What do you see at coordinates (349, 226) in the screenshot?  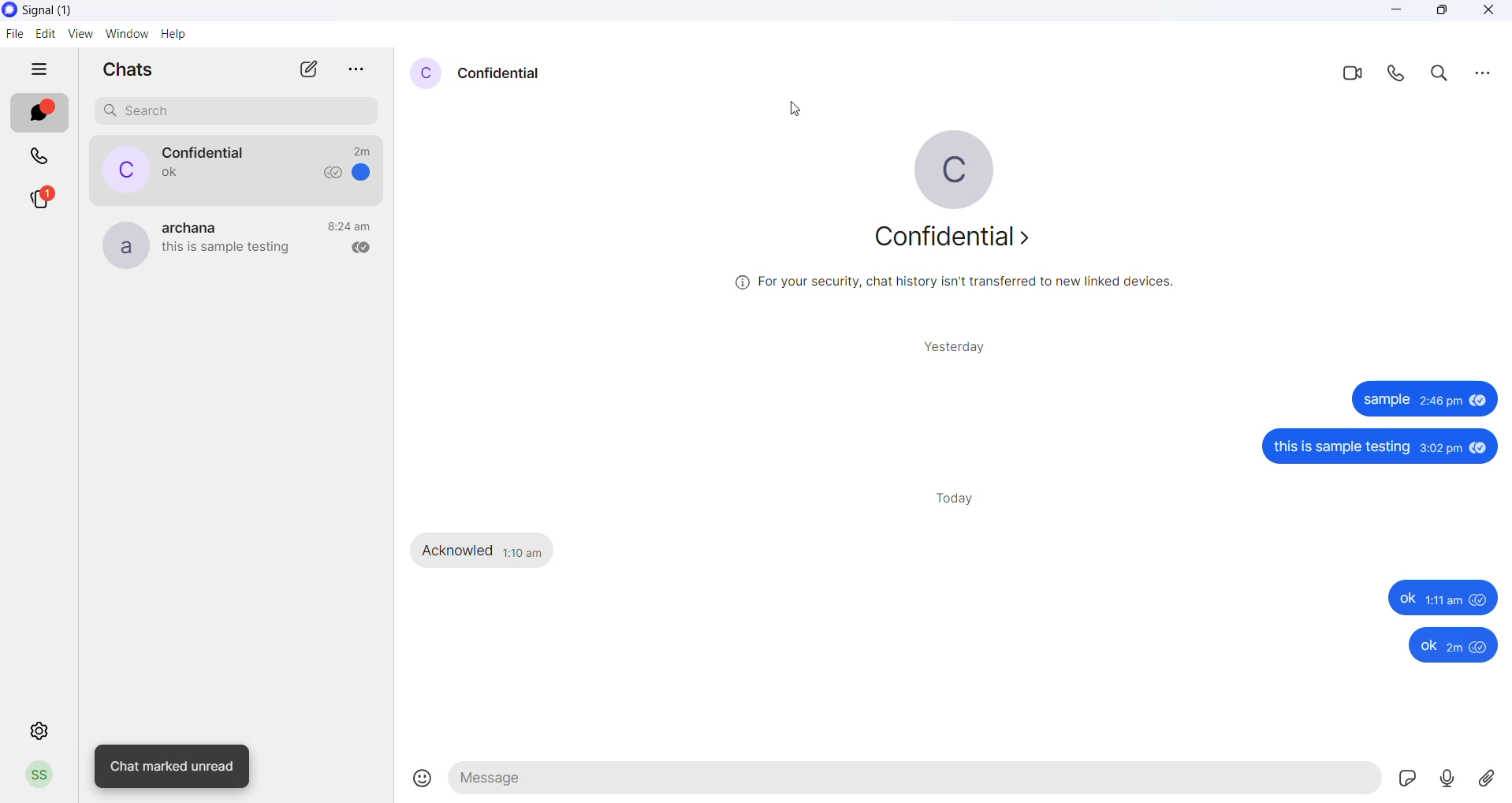 I see `last message time` at bounding box center [349, 226].